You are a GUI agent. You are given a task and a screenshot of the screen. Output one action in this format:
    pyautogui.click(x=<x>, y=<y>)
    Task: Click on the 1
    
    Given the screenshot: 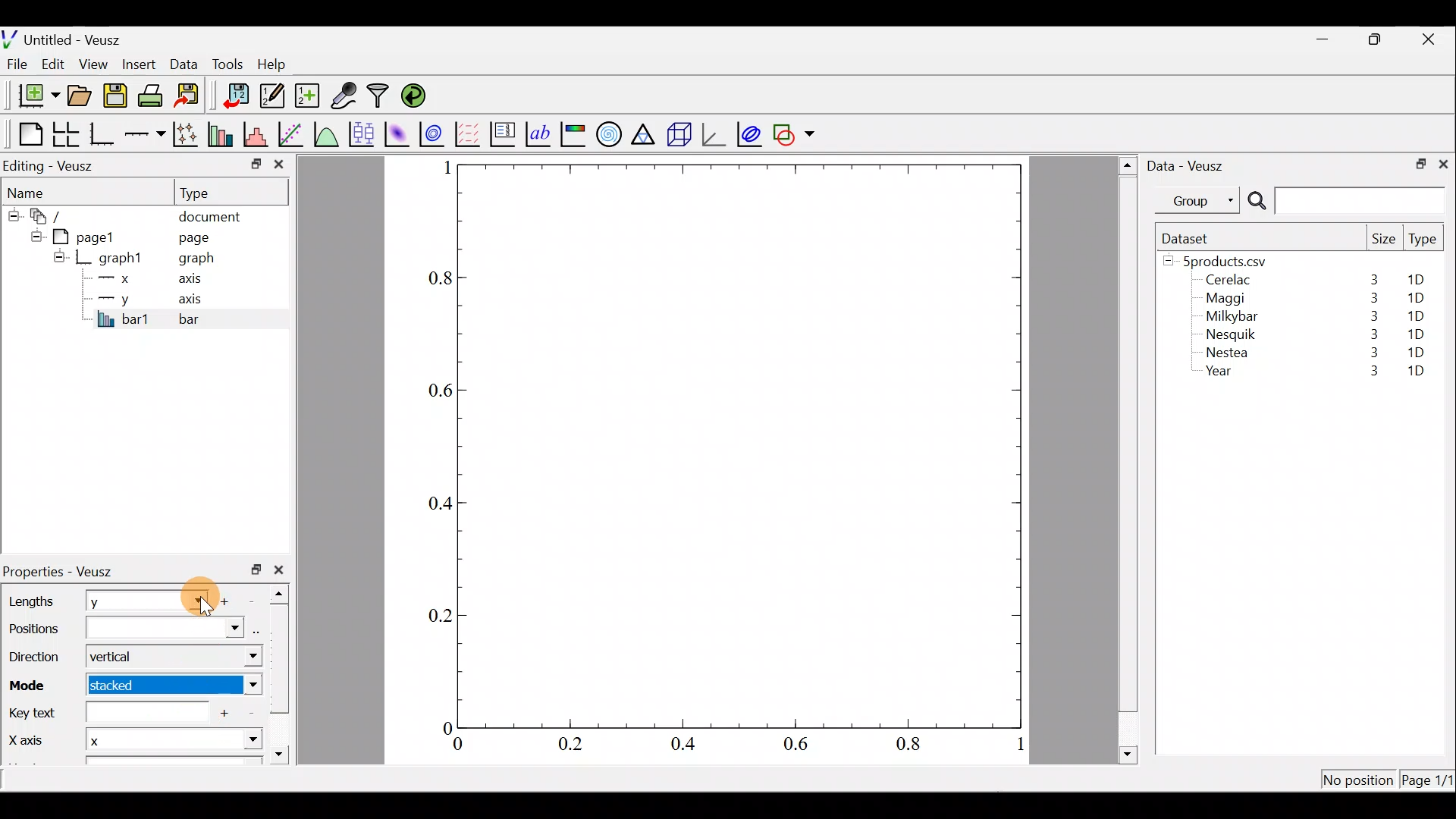 What is the action you would take?
    pyautogui.click(x=446, y=167)
    